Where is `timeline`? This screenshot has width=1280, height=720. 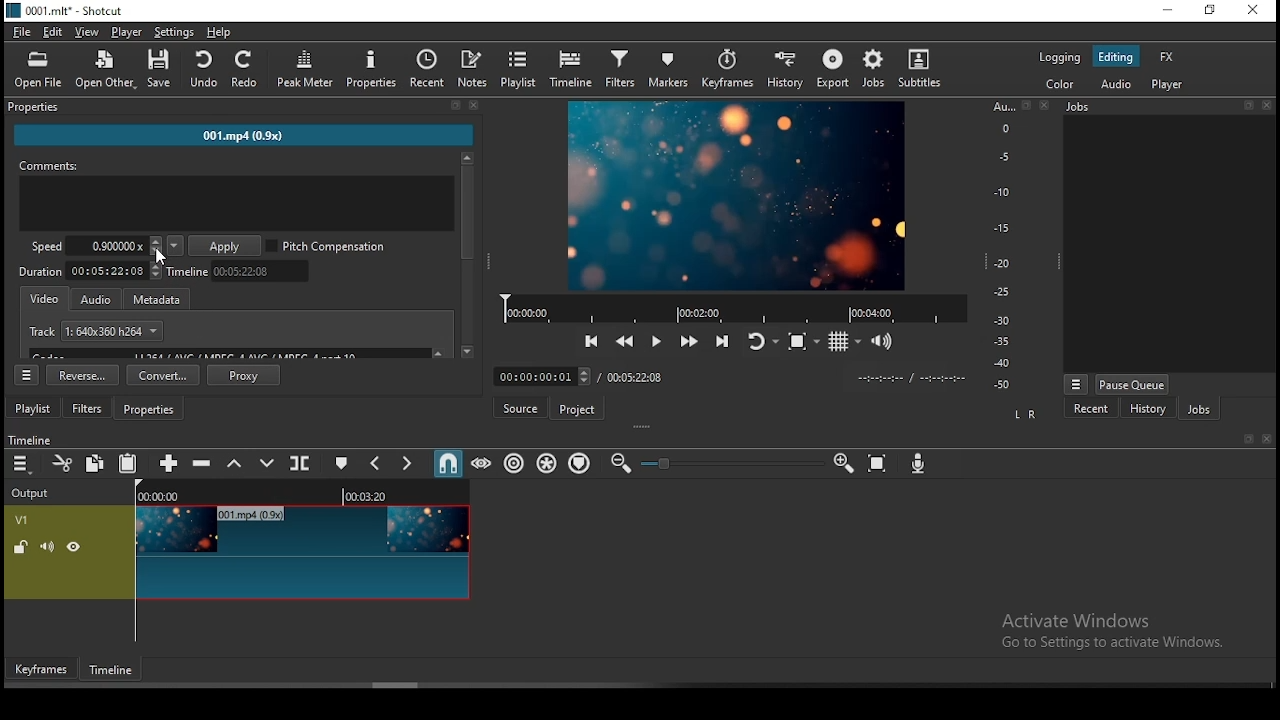 timeline is located at coordinates (575, 70).